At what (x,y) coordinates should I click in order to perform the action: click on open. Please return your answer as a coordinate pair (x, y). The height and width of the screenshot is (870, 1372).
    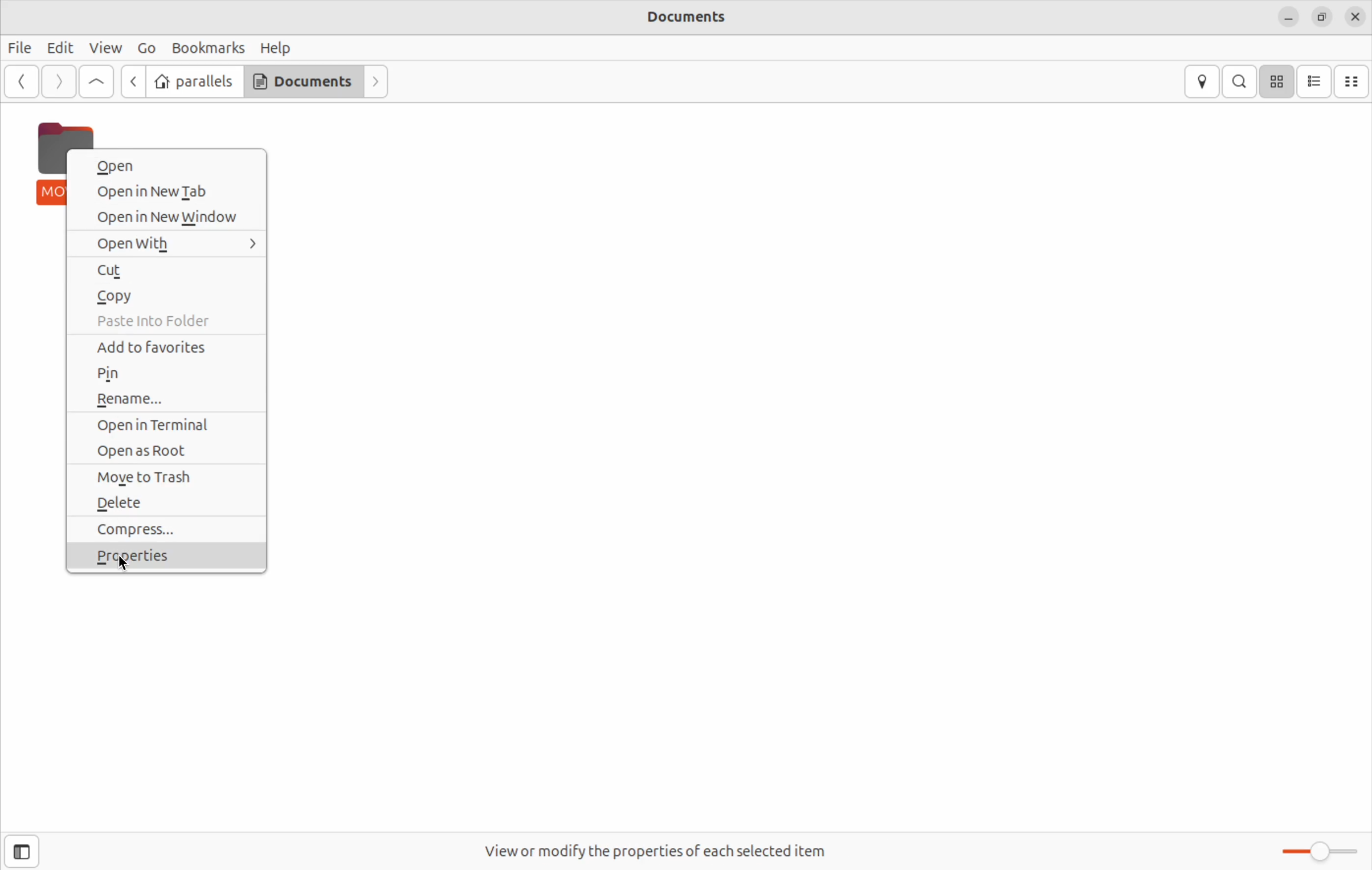
    Looking at the image, I should click on (169, 166).